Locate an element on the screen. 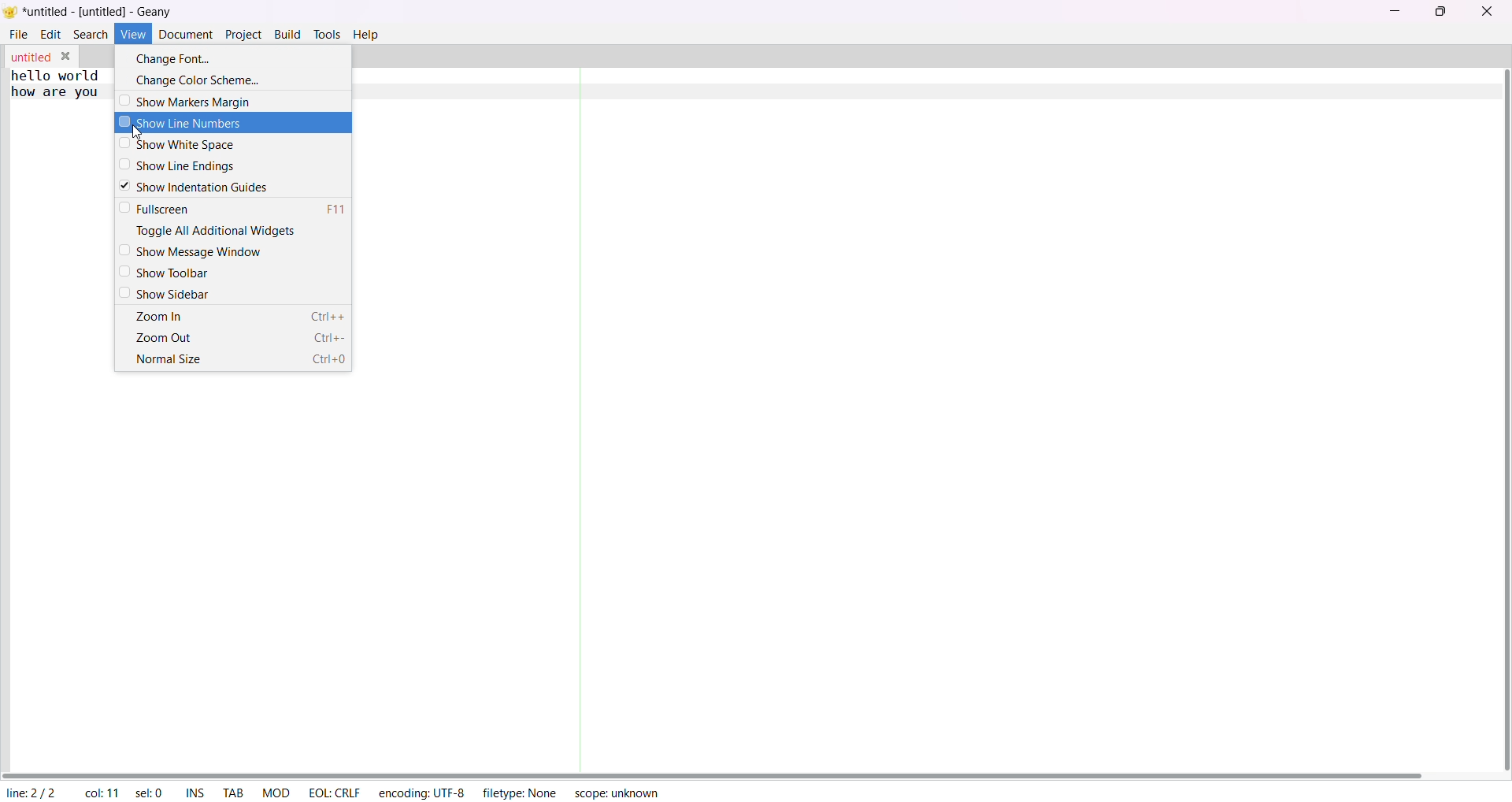 This screenshot has height=802, width=1512. filetype is located at coordinates (518, 791).